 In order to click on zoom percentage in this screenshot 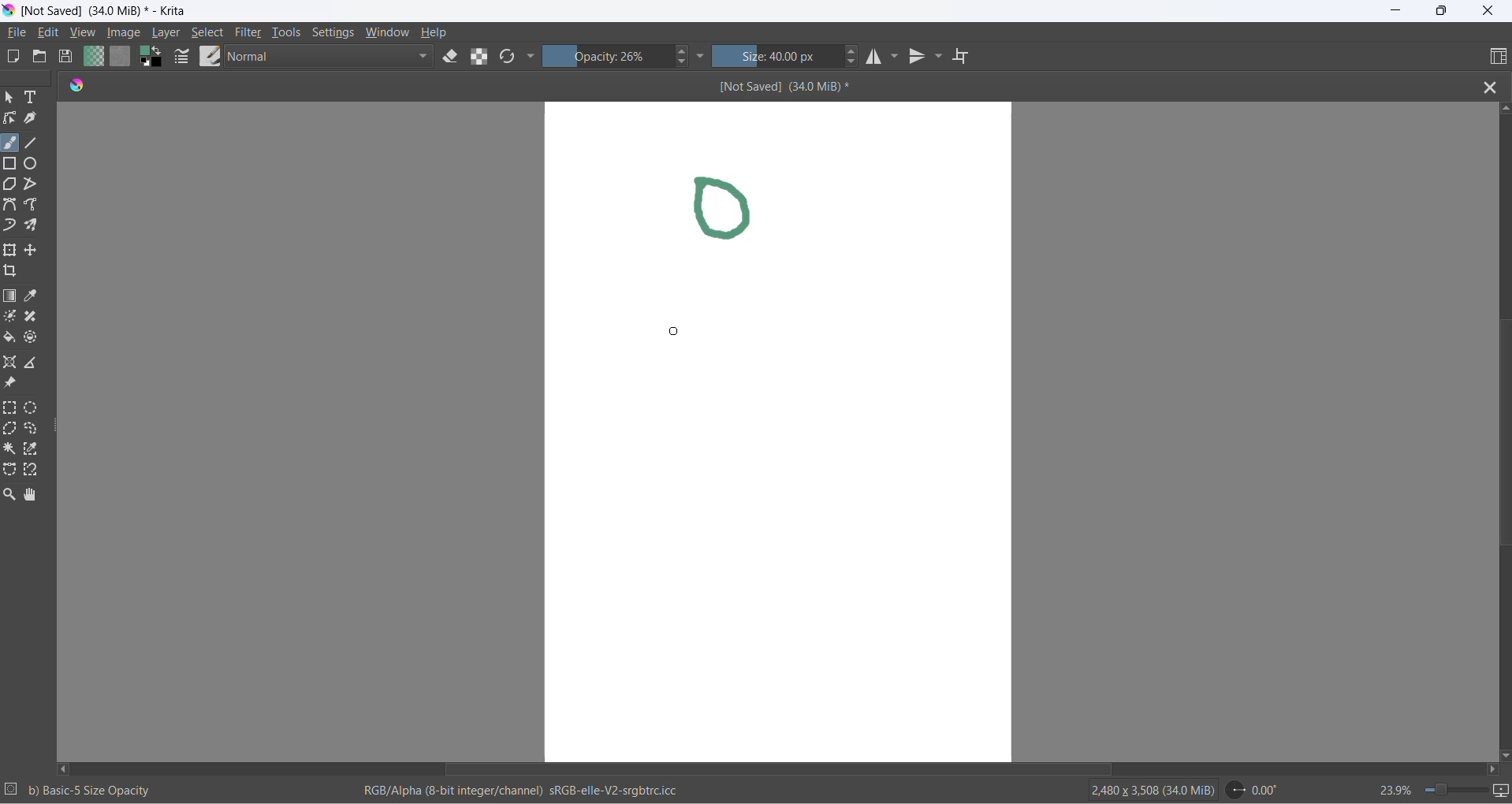, I will do `click(1386, 788)`.